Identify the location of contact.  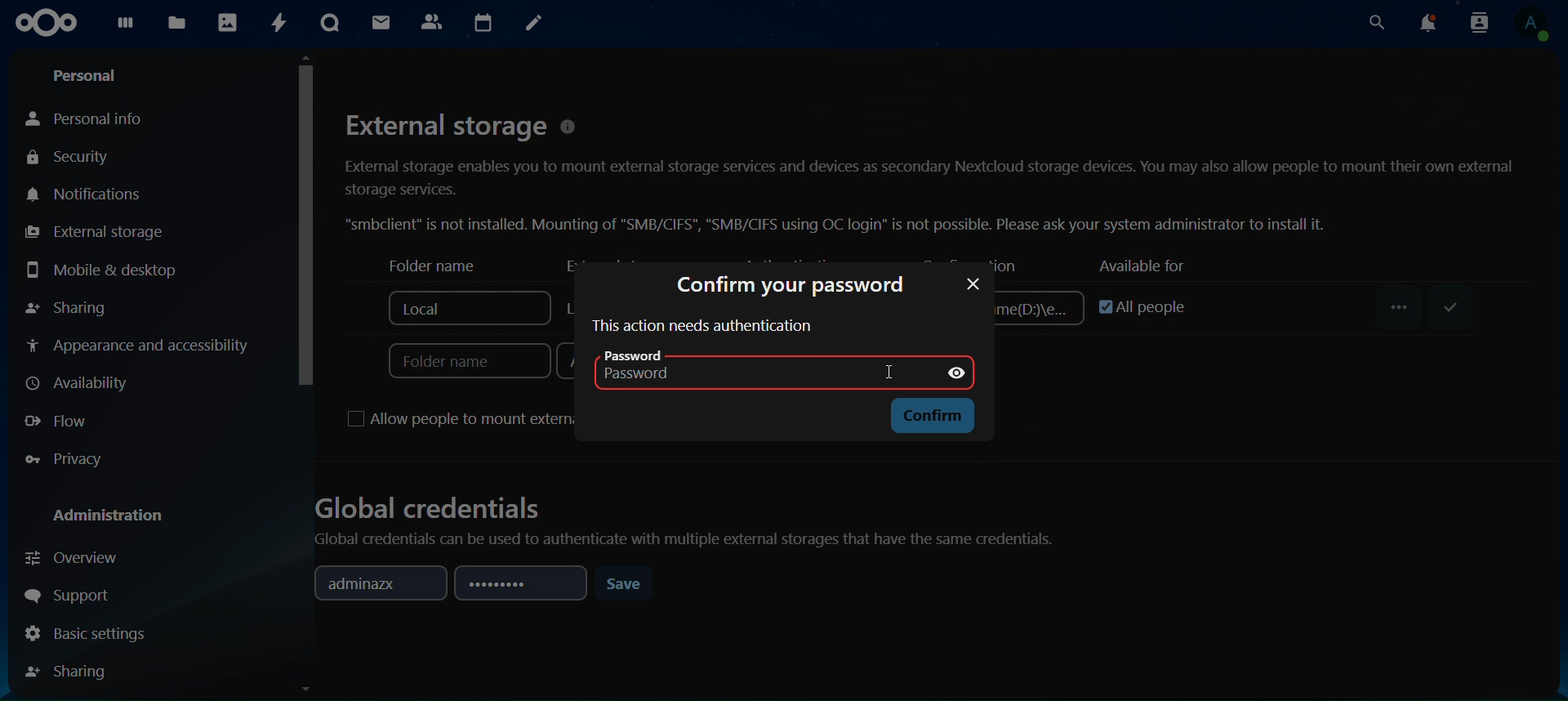
(433, 22).